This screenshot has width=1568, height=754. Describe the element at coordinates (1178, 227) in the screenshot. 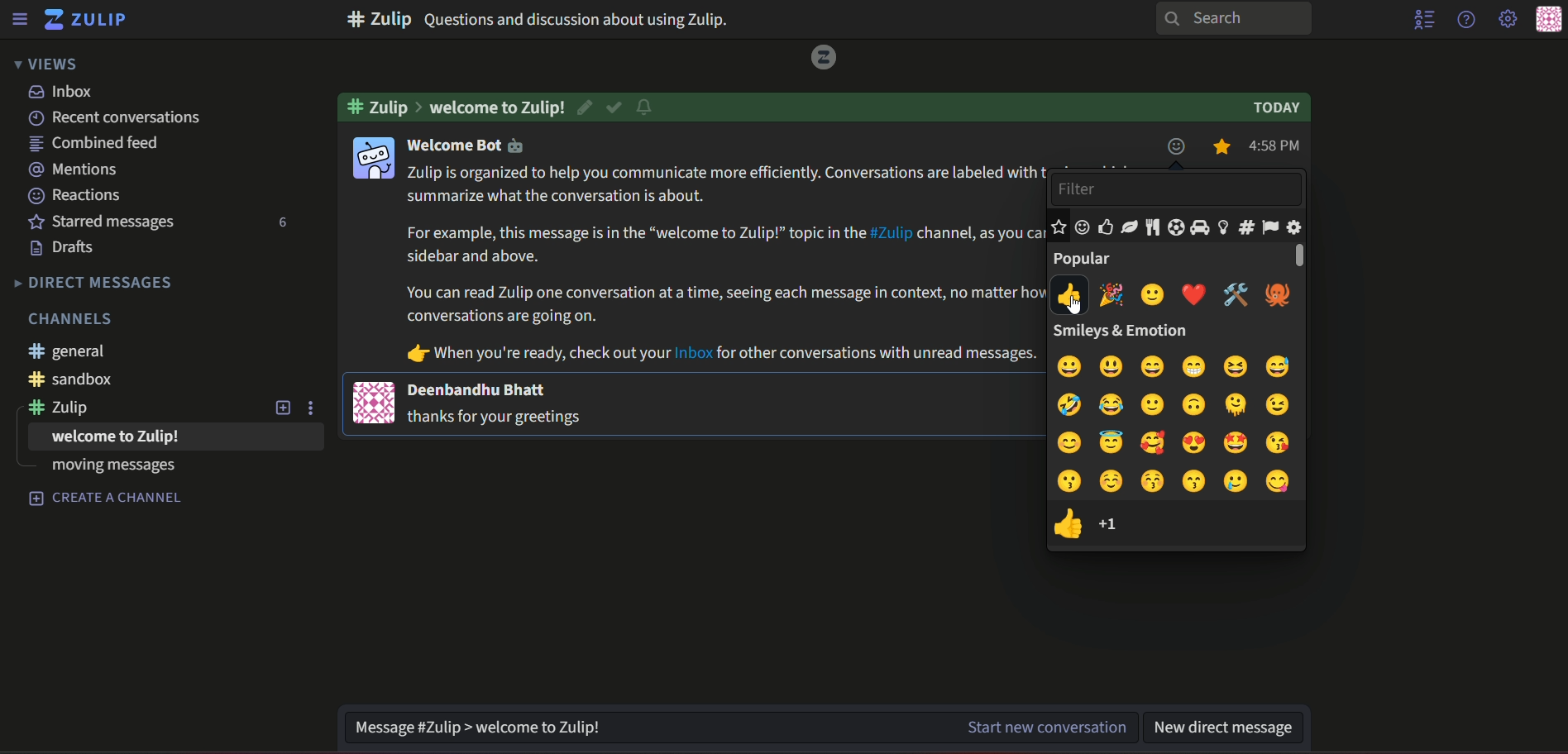

I see `icons` at that location.